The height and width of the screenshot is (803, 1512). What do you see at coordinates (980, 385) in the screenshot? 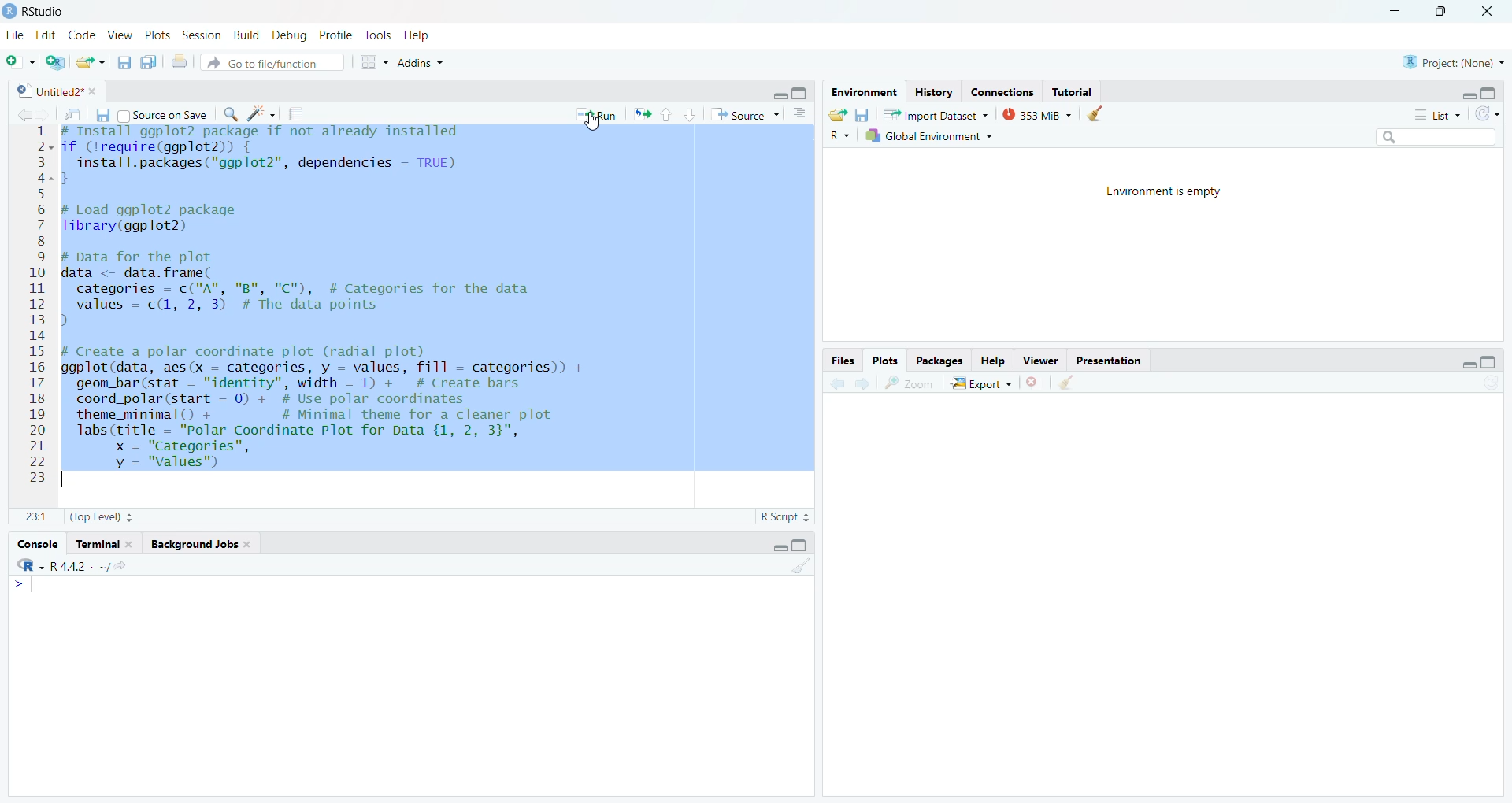
I see ` Export ` at bounding box center [980, 385].